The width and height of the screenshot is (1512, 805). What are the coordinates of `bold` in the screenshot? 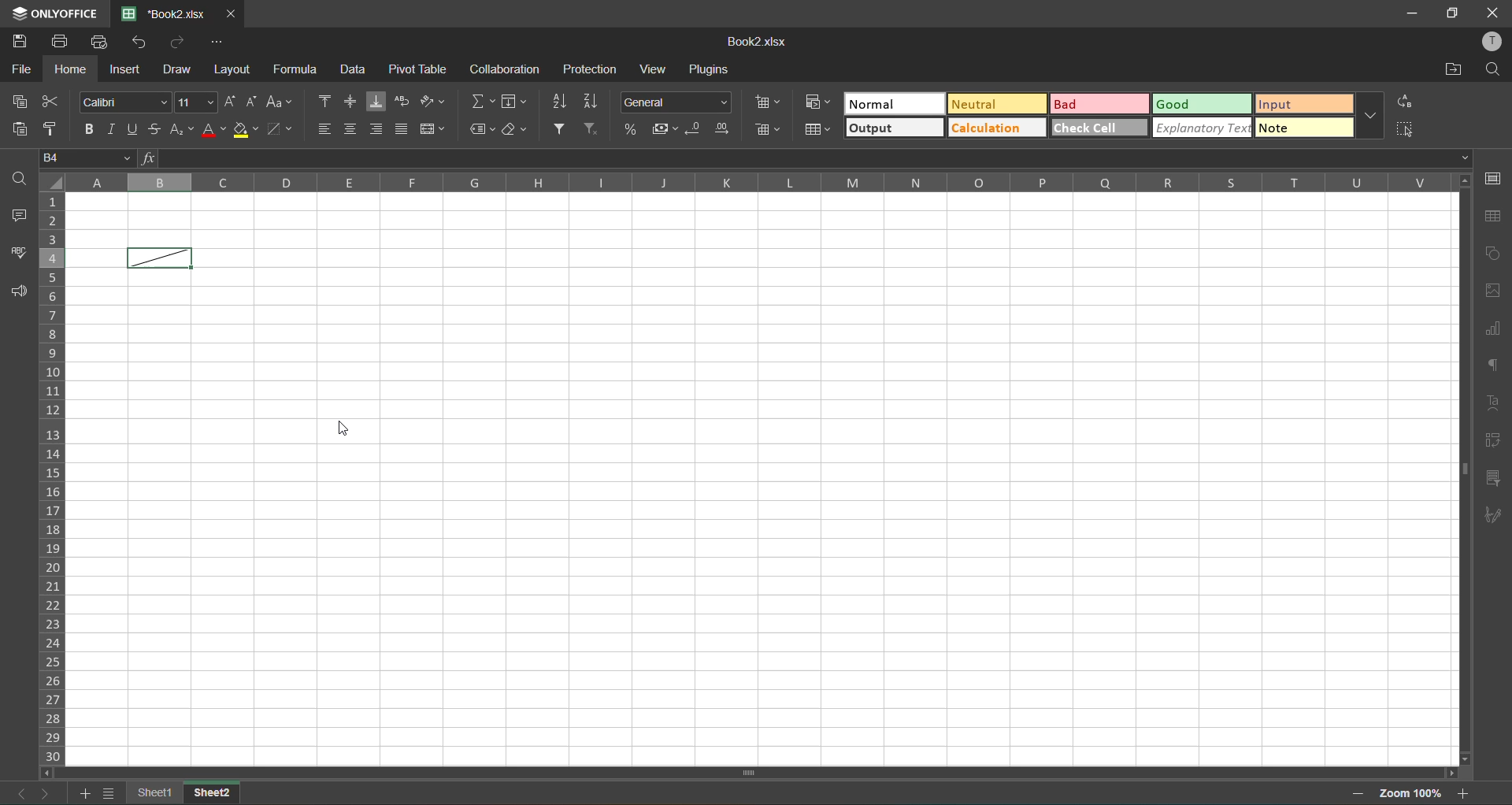 It's located at (89, 129).